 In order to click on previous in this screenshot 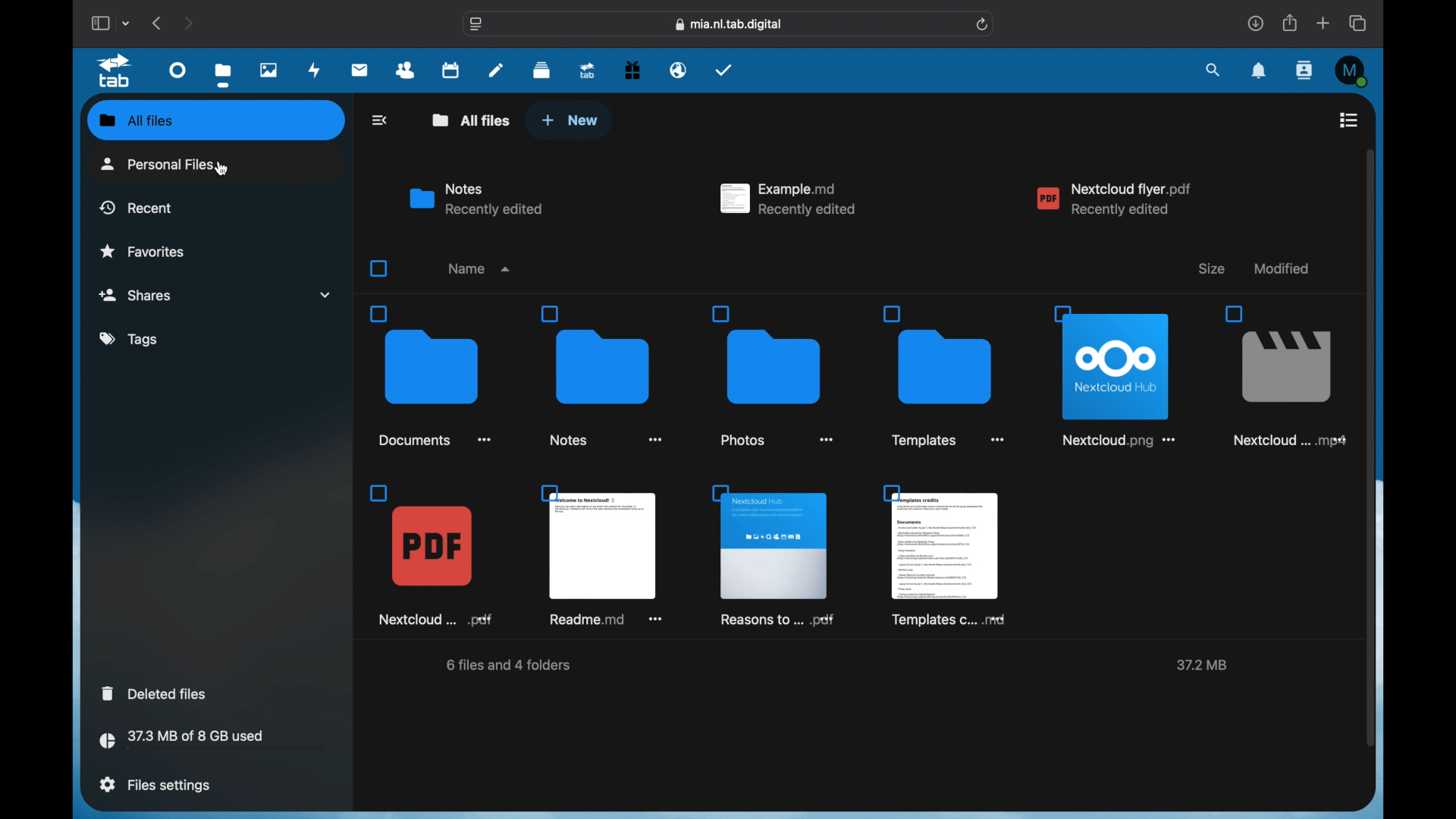, I will do `click(158, 23)`.